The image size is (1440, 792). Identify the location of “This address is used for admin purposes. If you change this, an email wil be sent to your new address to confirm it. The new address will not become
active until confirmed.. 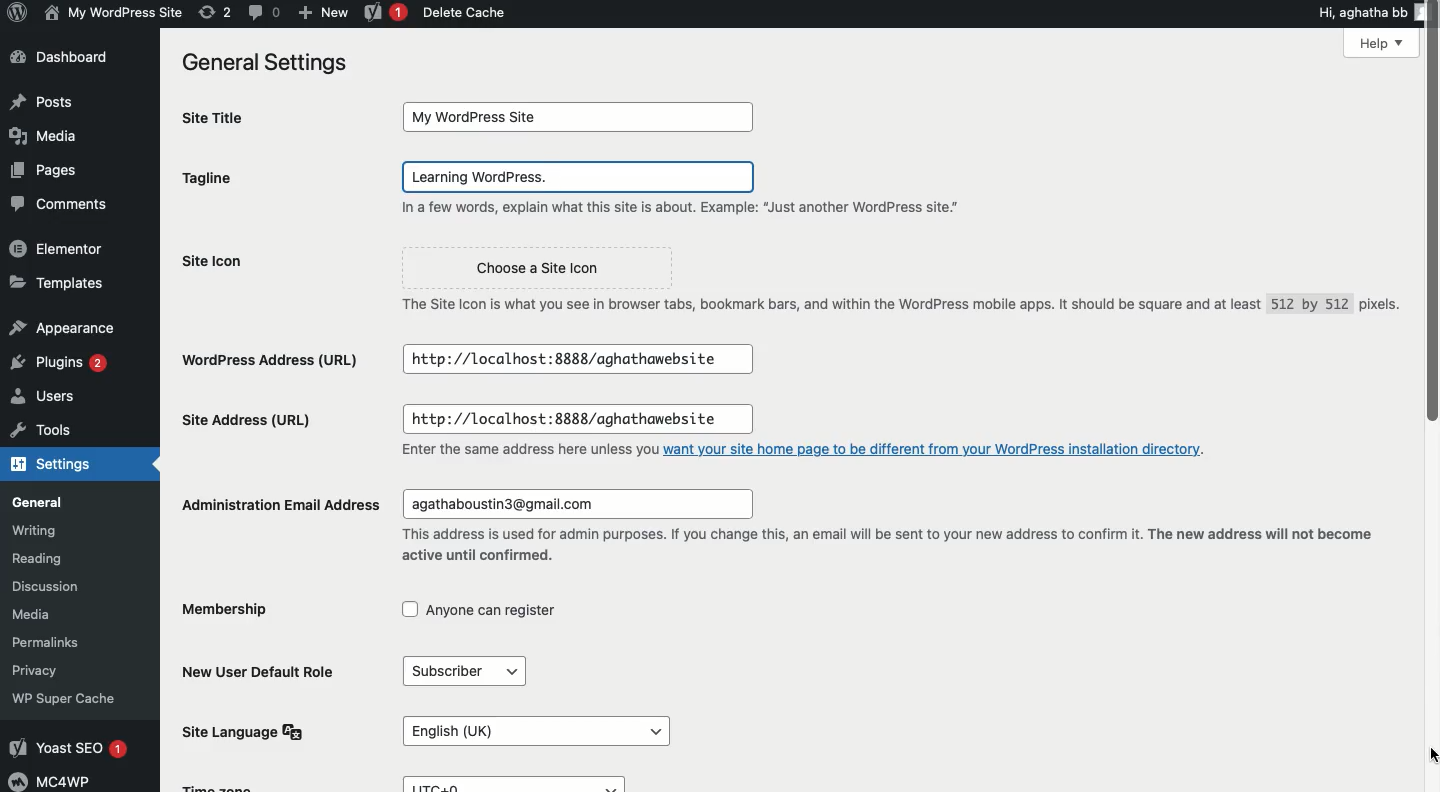
(898, 545).